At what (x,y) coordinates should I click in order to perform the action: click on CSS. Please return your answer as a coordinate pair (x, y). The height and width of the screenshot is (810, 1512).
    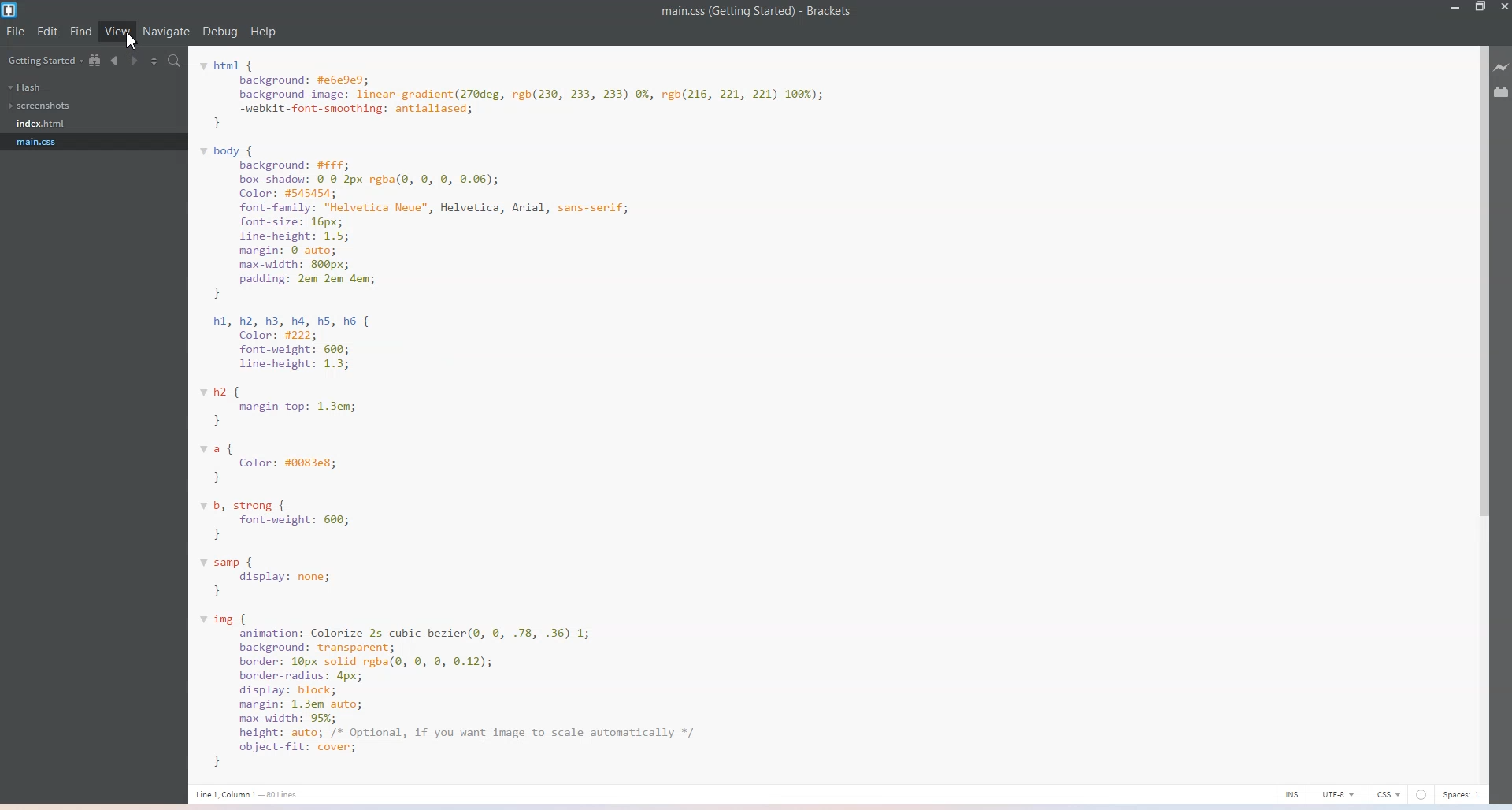
    Looking at the image, I should click on (1389, 793).